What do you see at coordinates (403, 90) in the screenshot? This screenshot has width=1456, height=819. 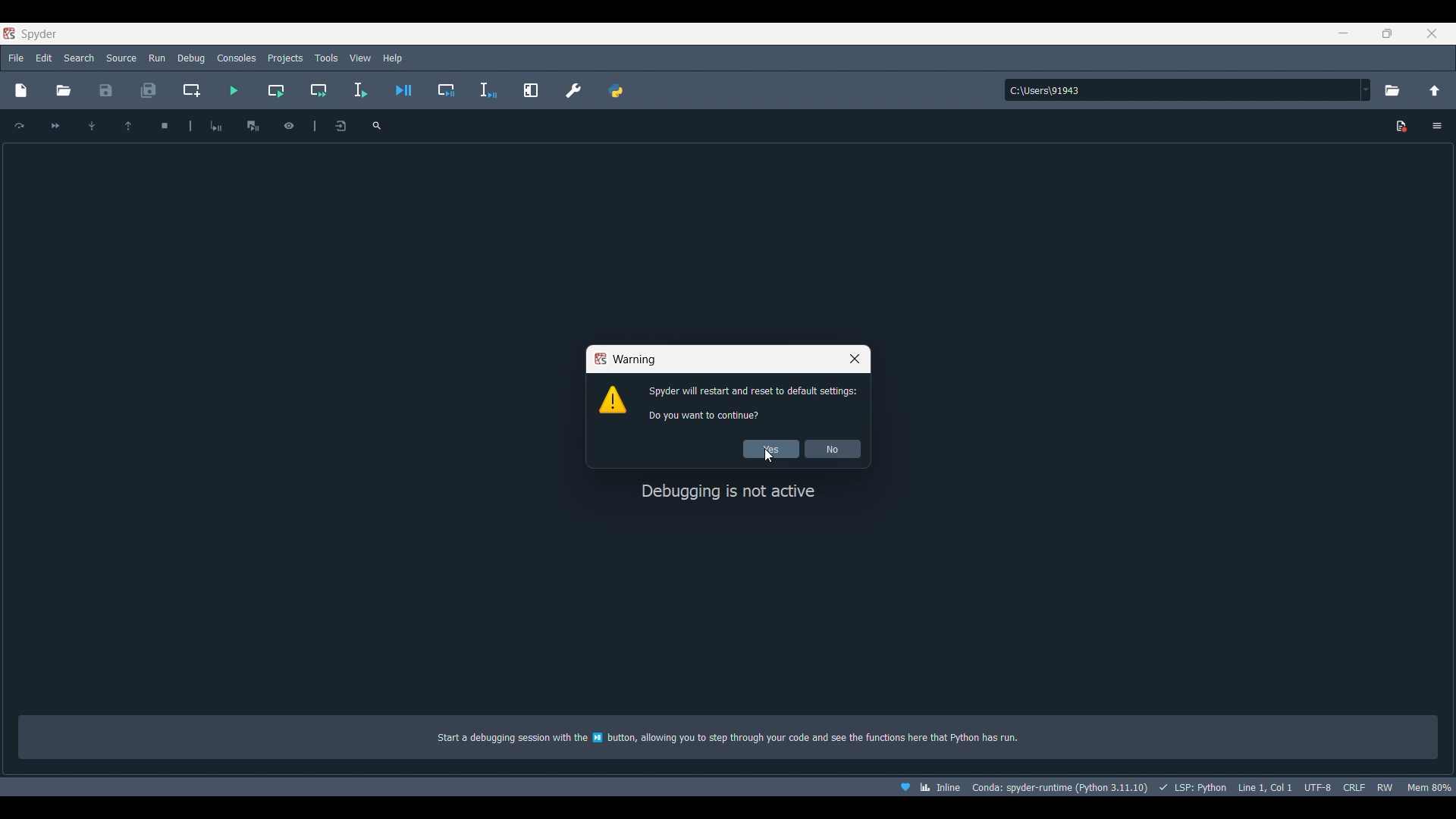 I see `Debug file` at bounding box center [403, 90].